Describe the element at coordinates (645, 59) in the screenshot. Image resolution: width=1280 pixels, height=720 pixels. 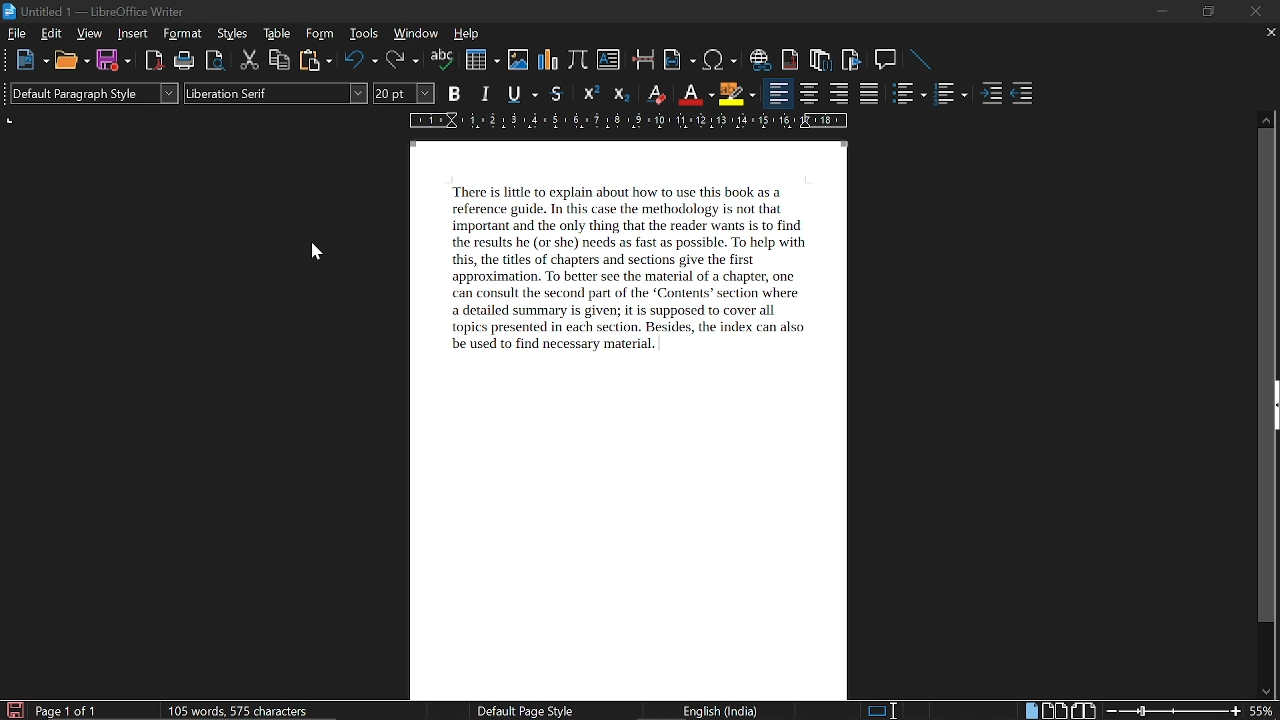
I see `insert page break` at that location.